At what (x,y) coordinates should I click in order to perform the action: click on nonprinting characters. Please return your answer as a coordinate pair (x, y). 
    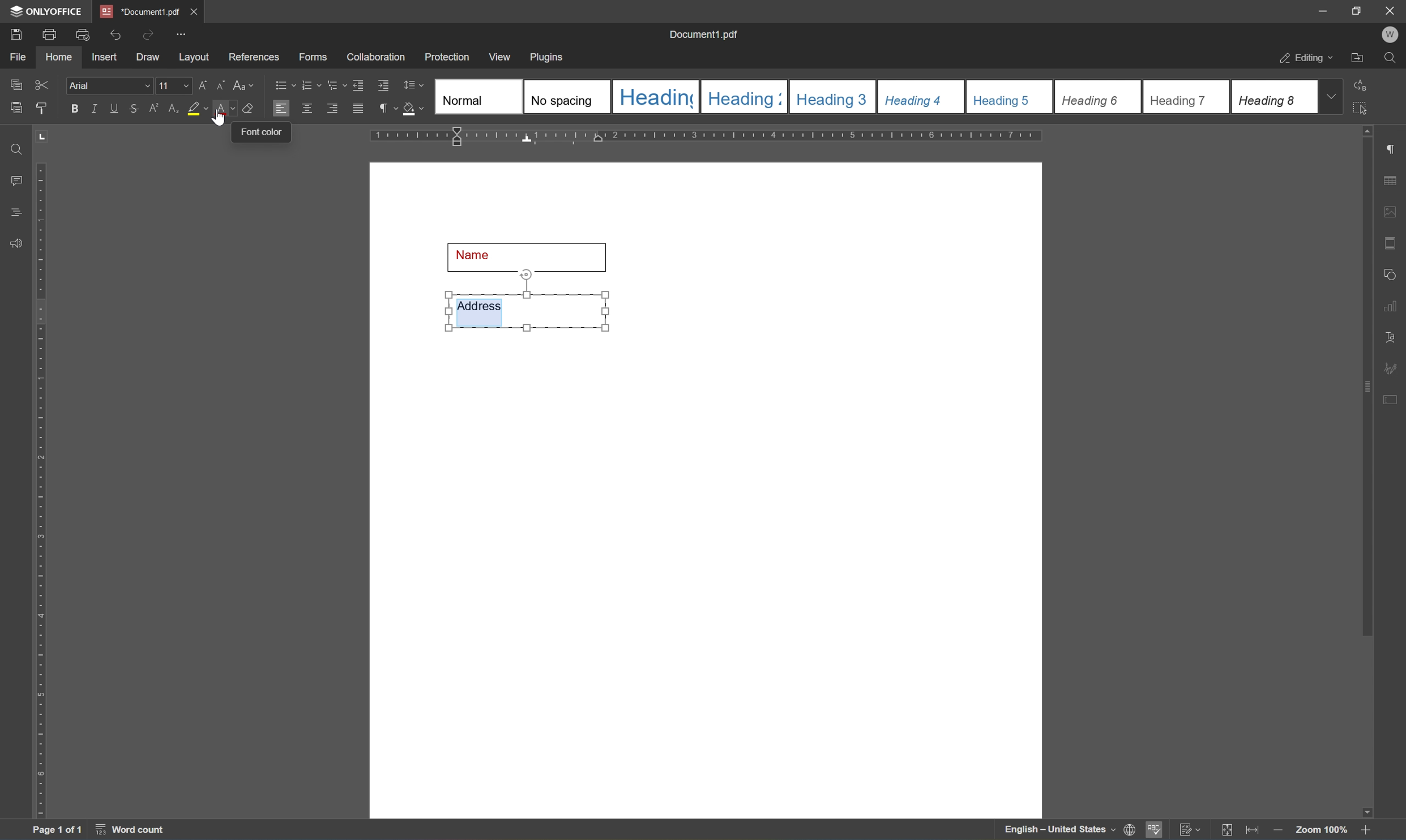
    Looking at the image, I should click on (388, 108).